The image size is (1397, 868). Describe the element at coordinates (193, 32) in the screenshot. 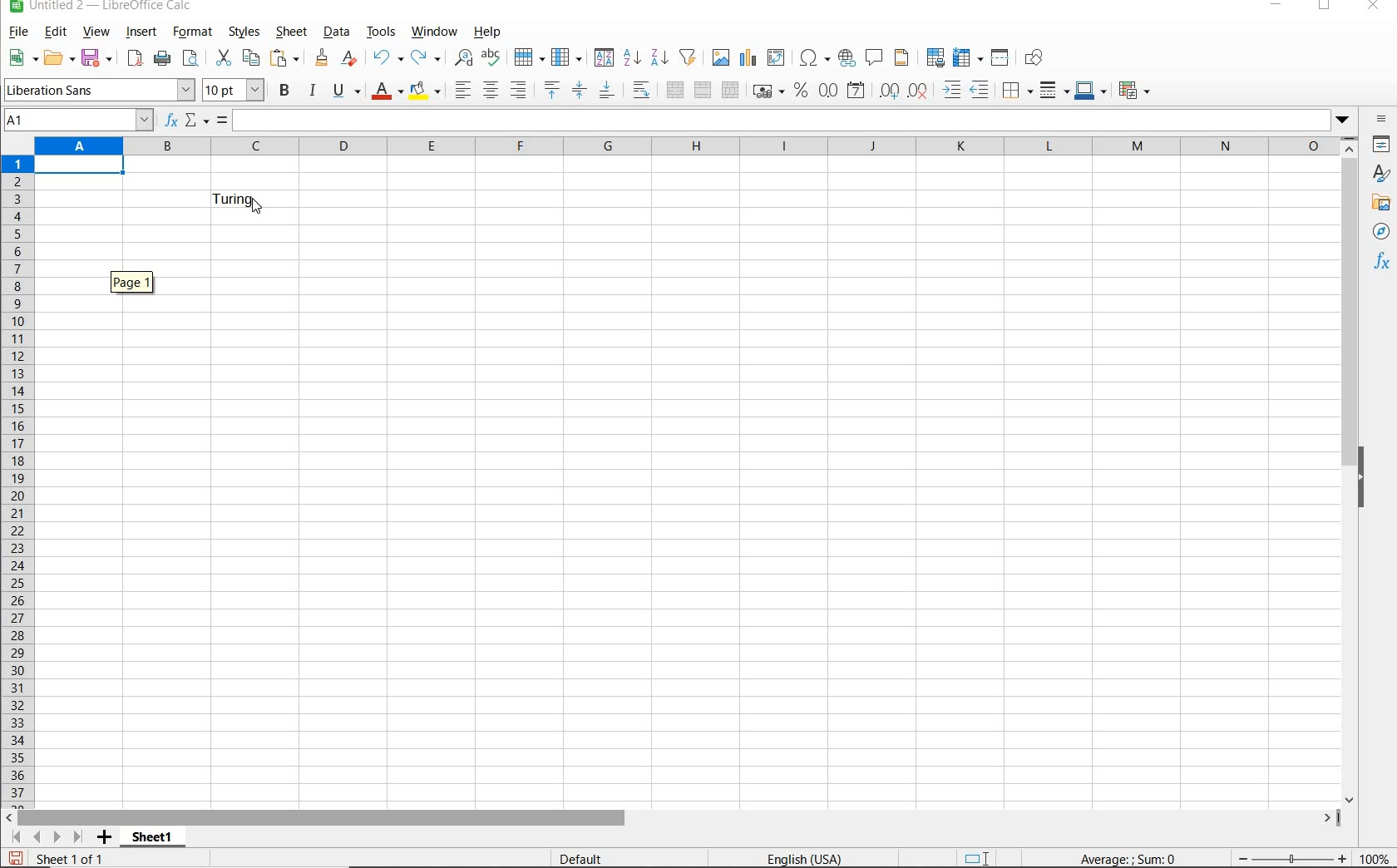

I see `FORMAT` at that location.